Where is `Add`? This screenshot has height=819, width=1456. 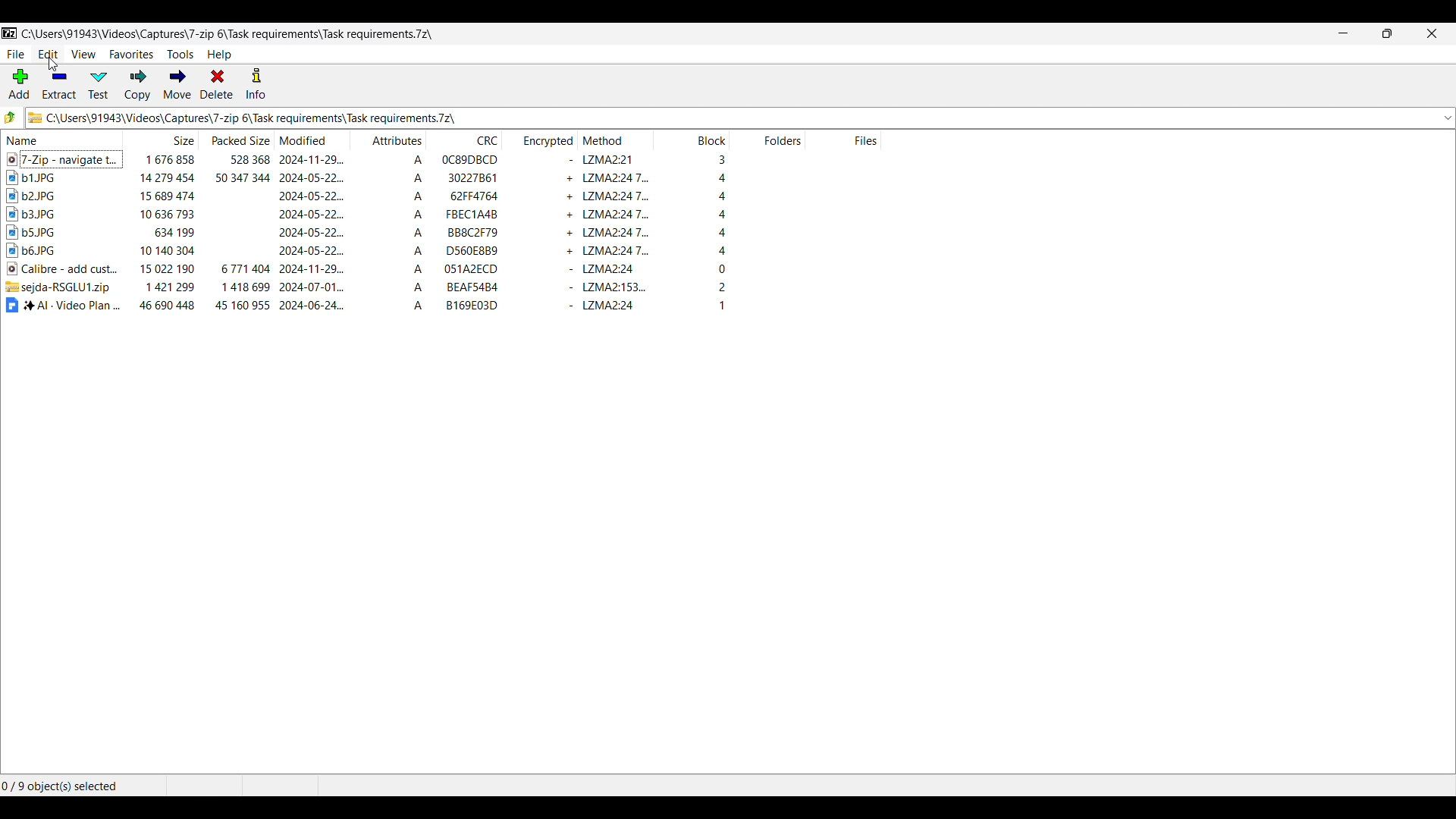
Add is located at coordinates (19, 83).